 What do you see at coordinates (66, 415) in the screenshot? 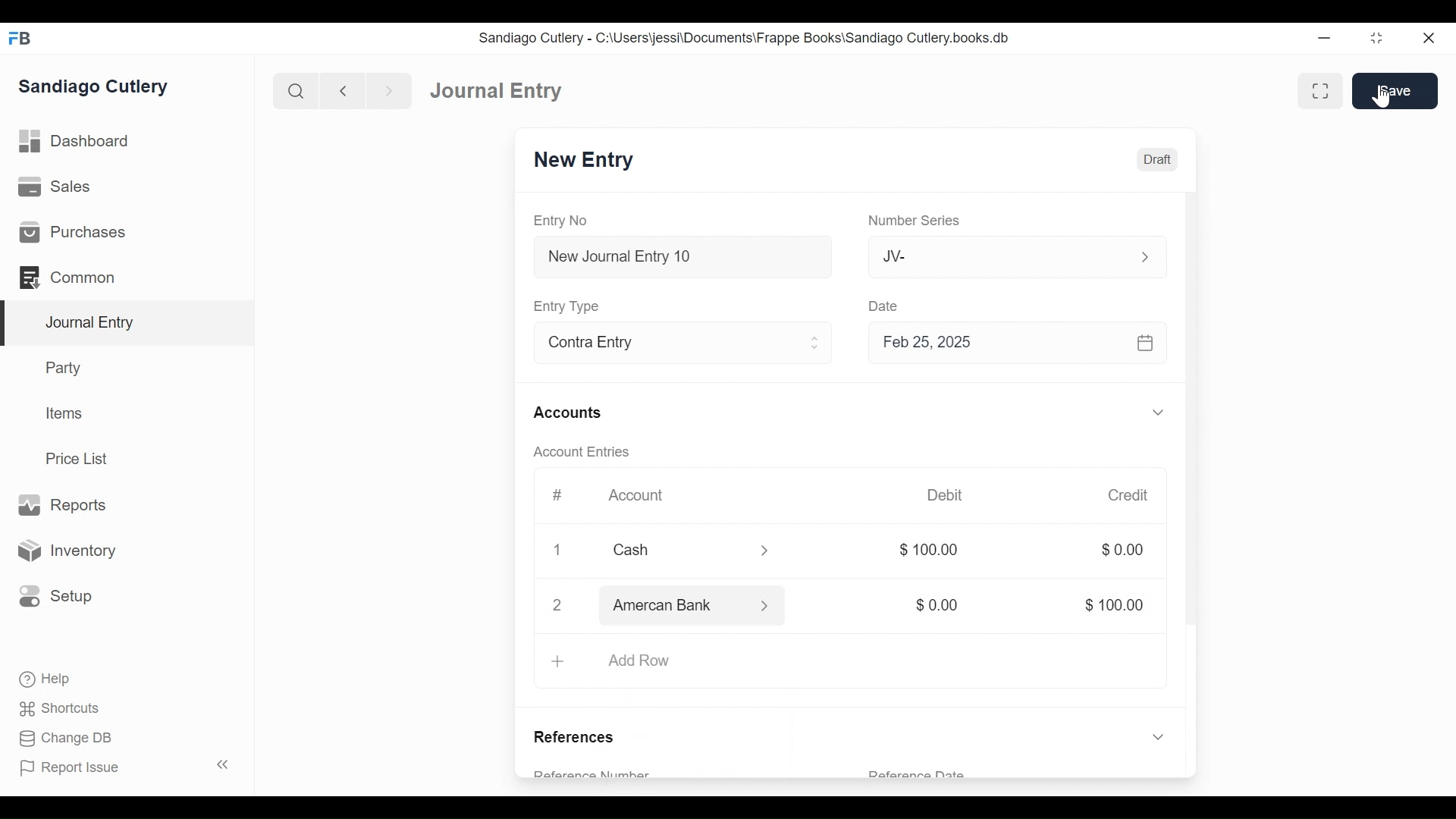
I see `Items` at bounding box center [66, 415].